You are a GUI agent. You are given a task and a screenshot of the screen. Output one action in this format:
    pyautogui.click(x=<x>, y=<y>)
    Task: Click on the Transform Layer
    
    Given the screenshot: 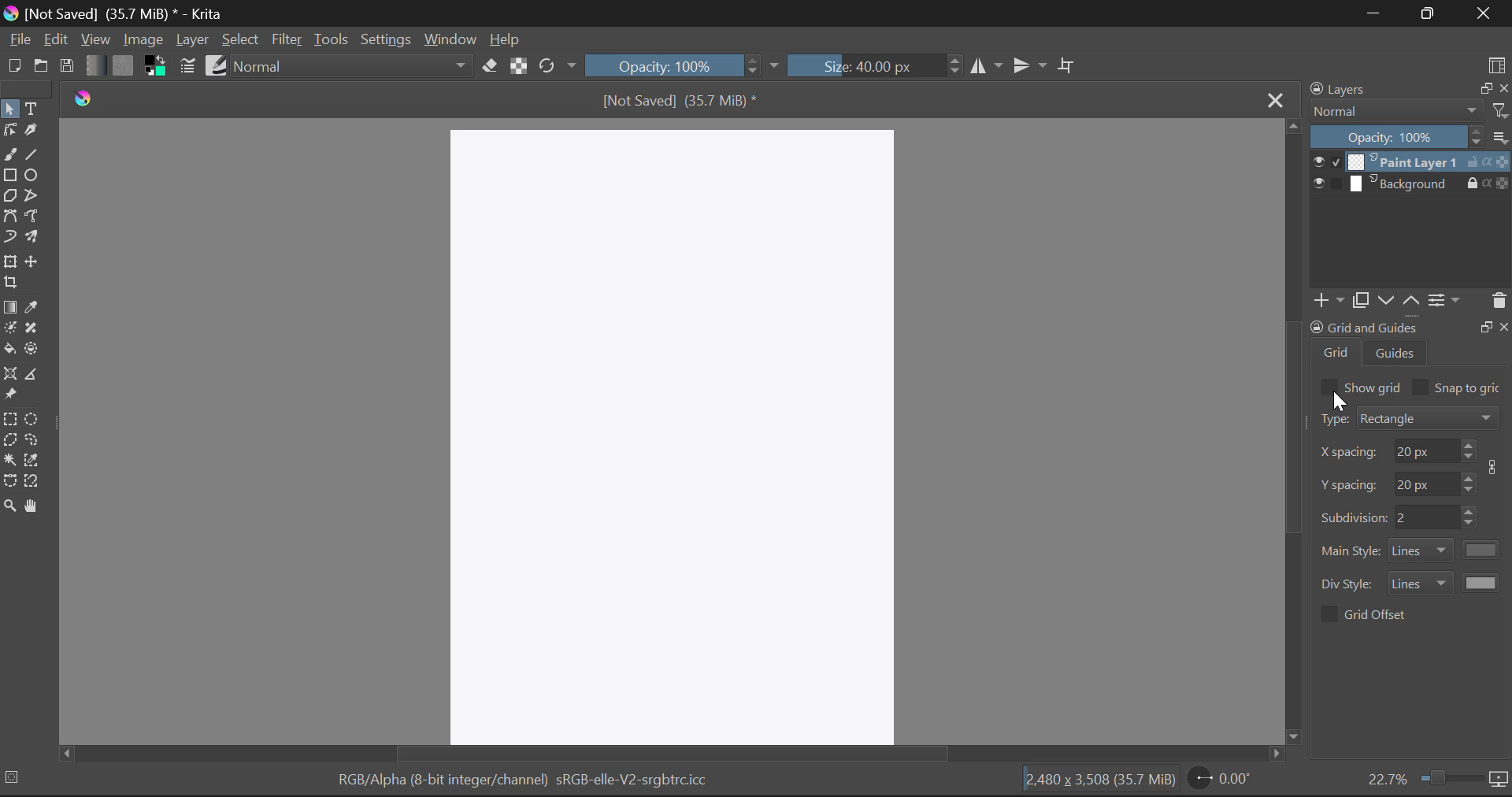 What is the action you would take?
    pyautogui.click(x=9, y=262)
    